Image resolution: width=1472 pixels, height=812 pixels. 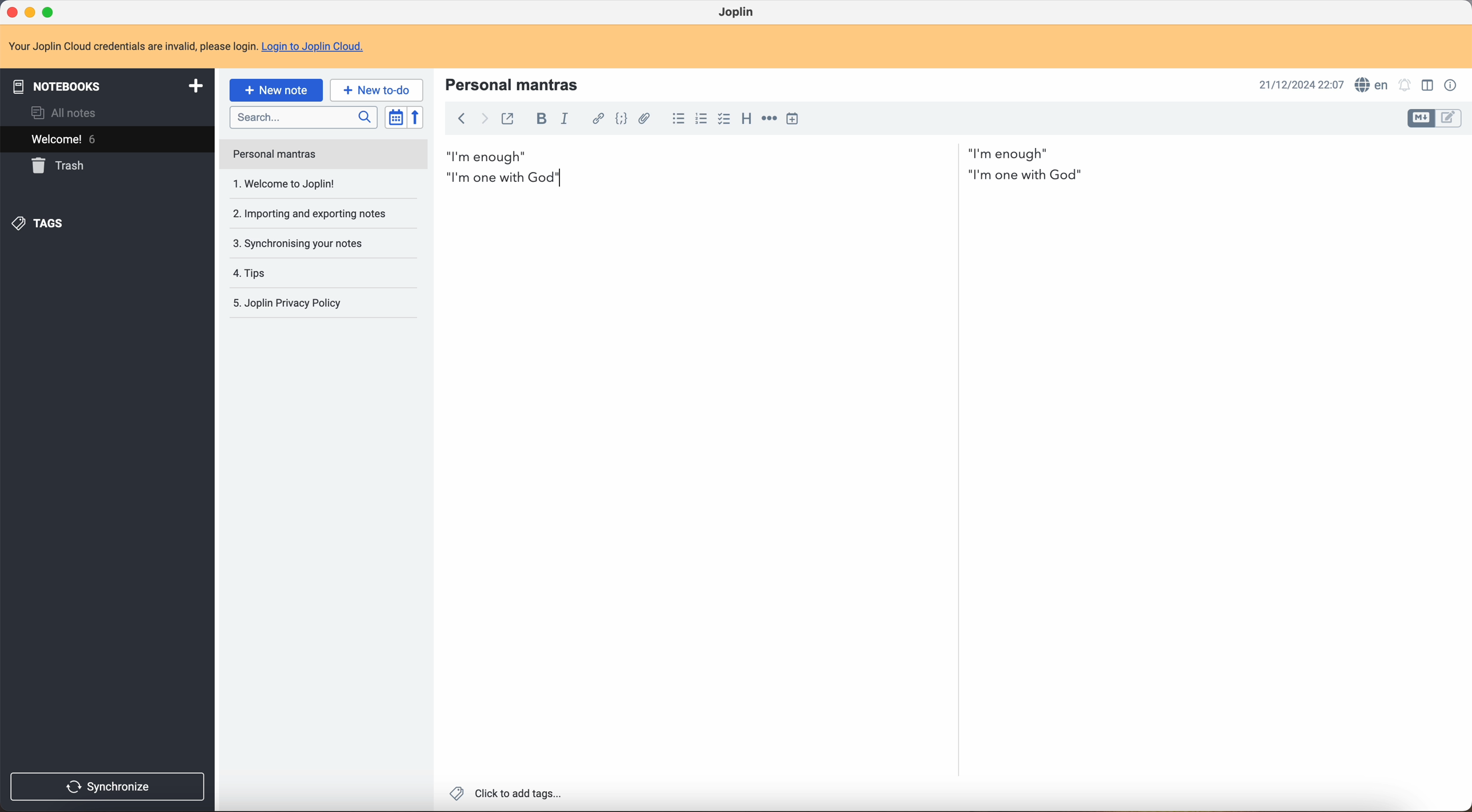 What do you see at coordinates (376, 89) in the screenshot?
I see `new to-do` at bounding box center [376, 89].